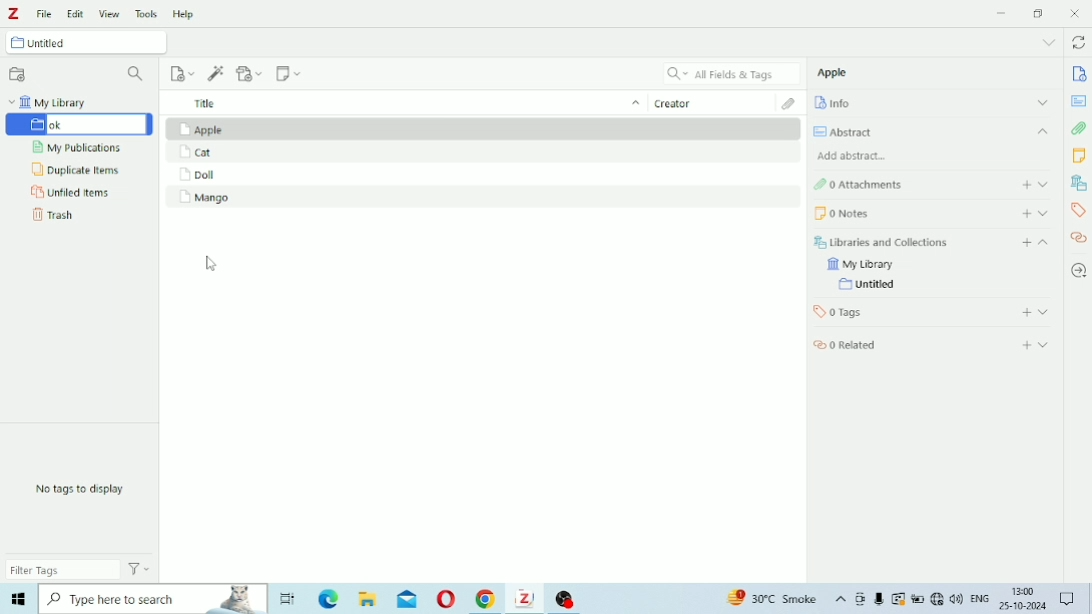  I want to click on , so click(482, 598).